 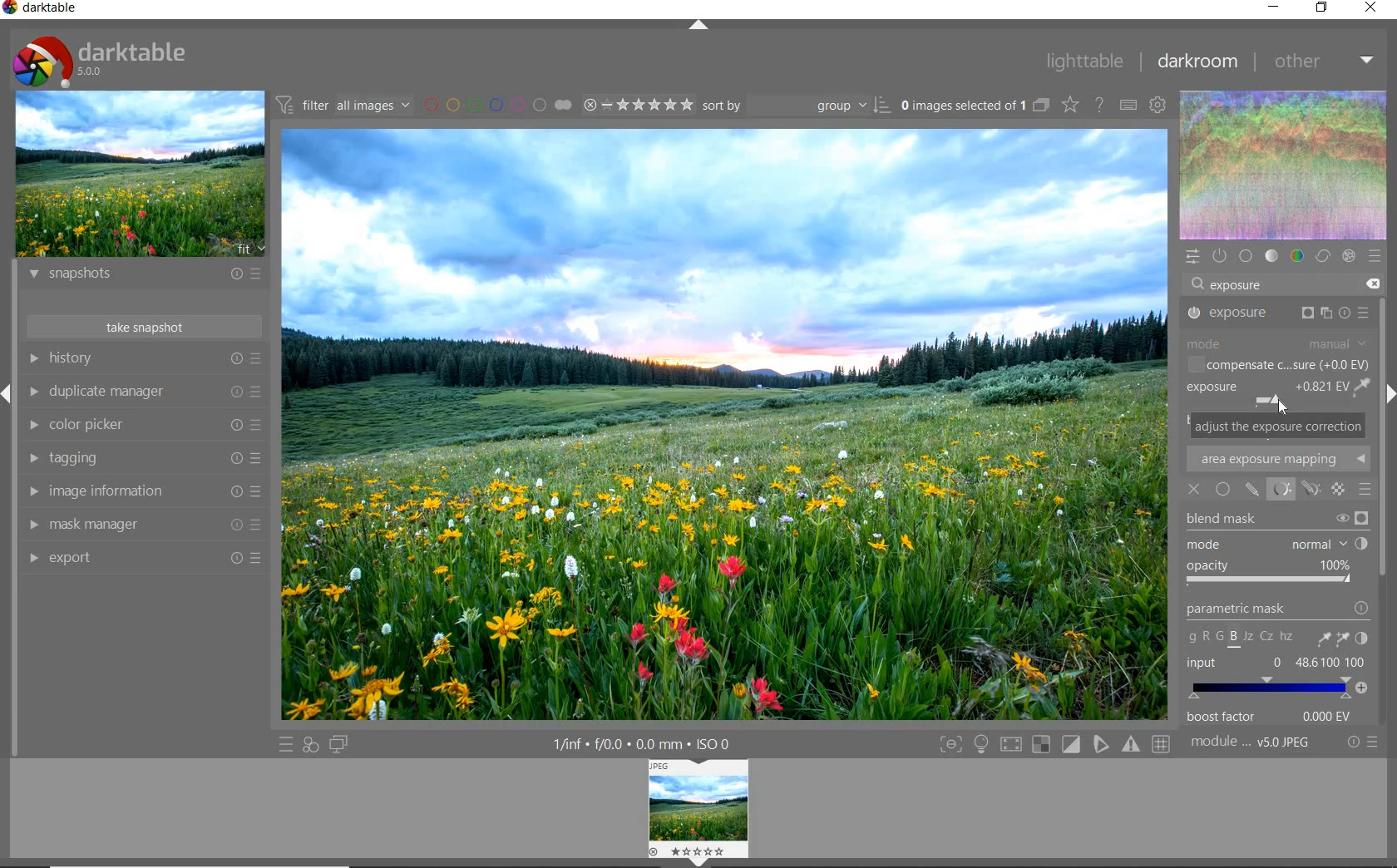 What do you see at coordinates (1365, 491) in the screenshot?
I see `BLENDING OPTIONS` at bounding box center [1365, 491].